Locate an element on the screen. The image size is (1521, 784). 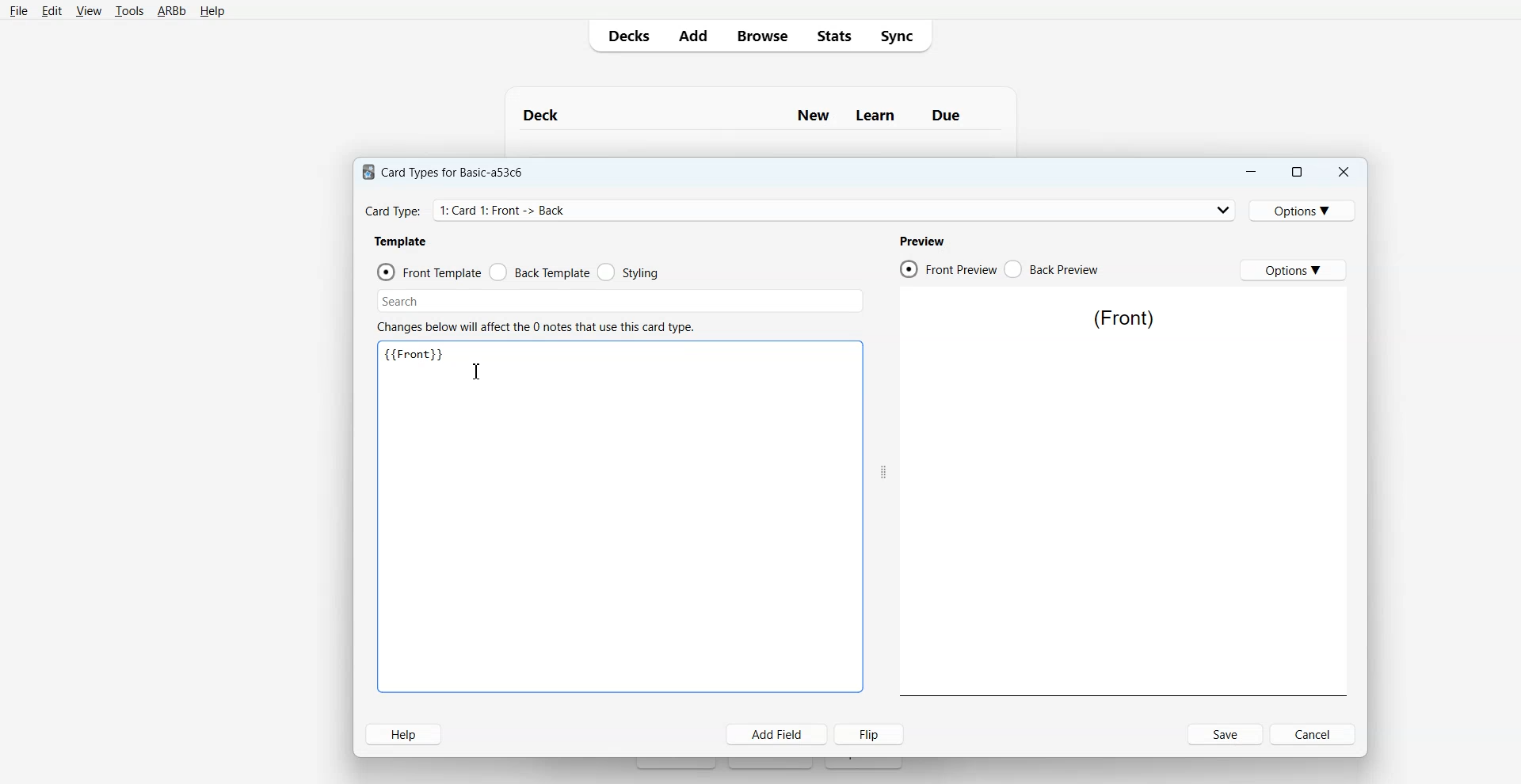
ARBb is located at coordinates (170, 12).